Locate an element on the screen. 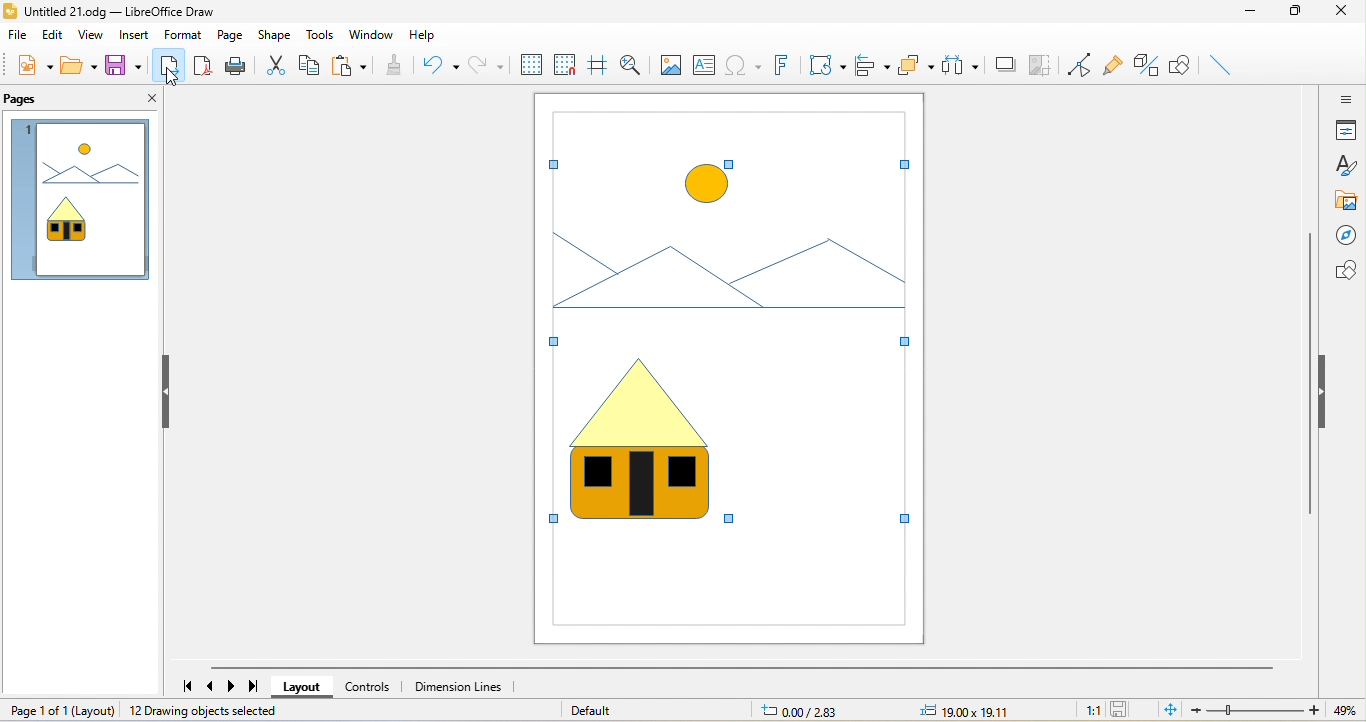 This screenshot has height=722, width=1366. view is located at coordinates (95, 35).